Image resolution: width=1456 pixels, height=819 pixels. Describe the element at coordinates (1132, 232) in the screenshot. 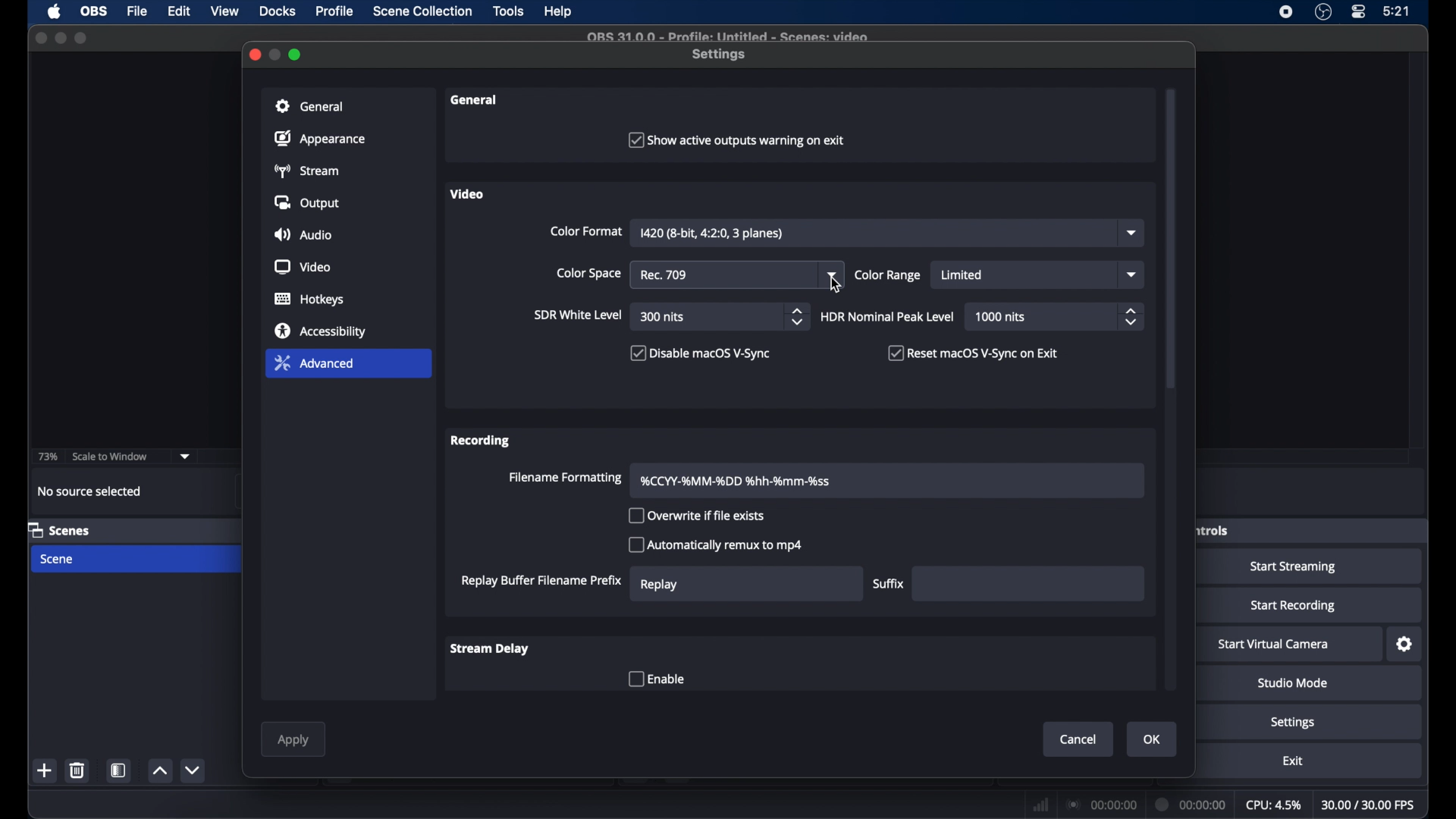

I see `dropdown` at that location.